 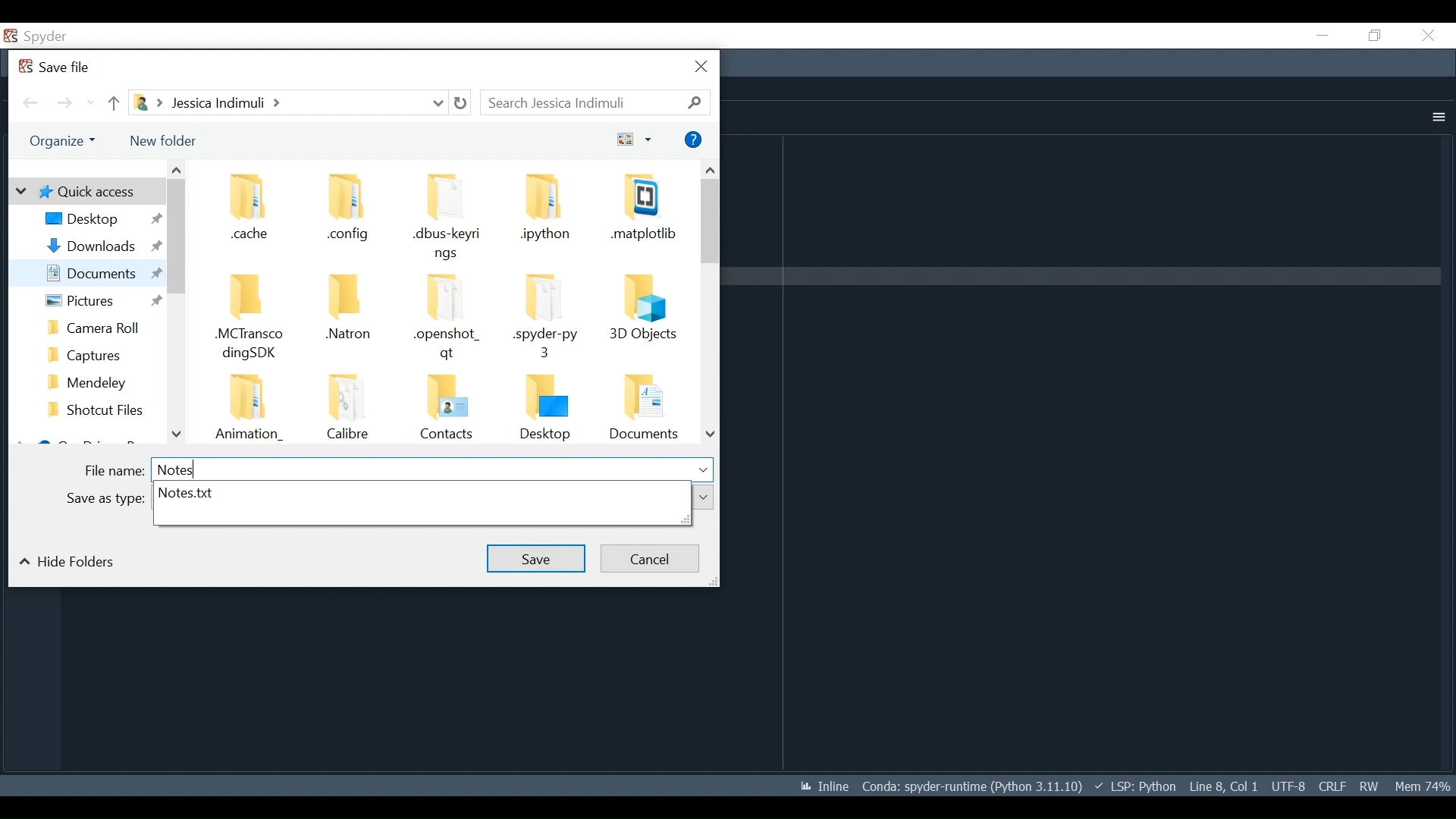 I want to click on Folder, so click(x=644, y=409).